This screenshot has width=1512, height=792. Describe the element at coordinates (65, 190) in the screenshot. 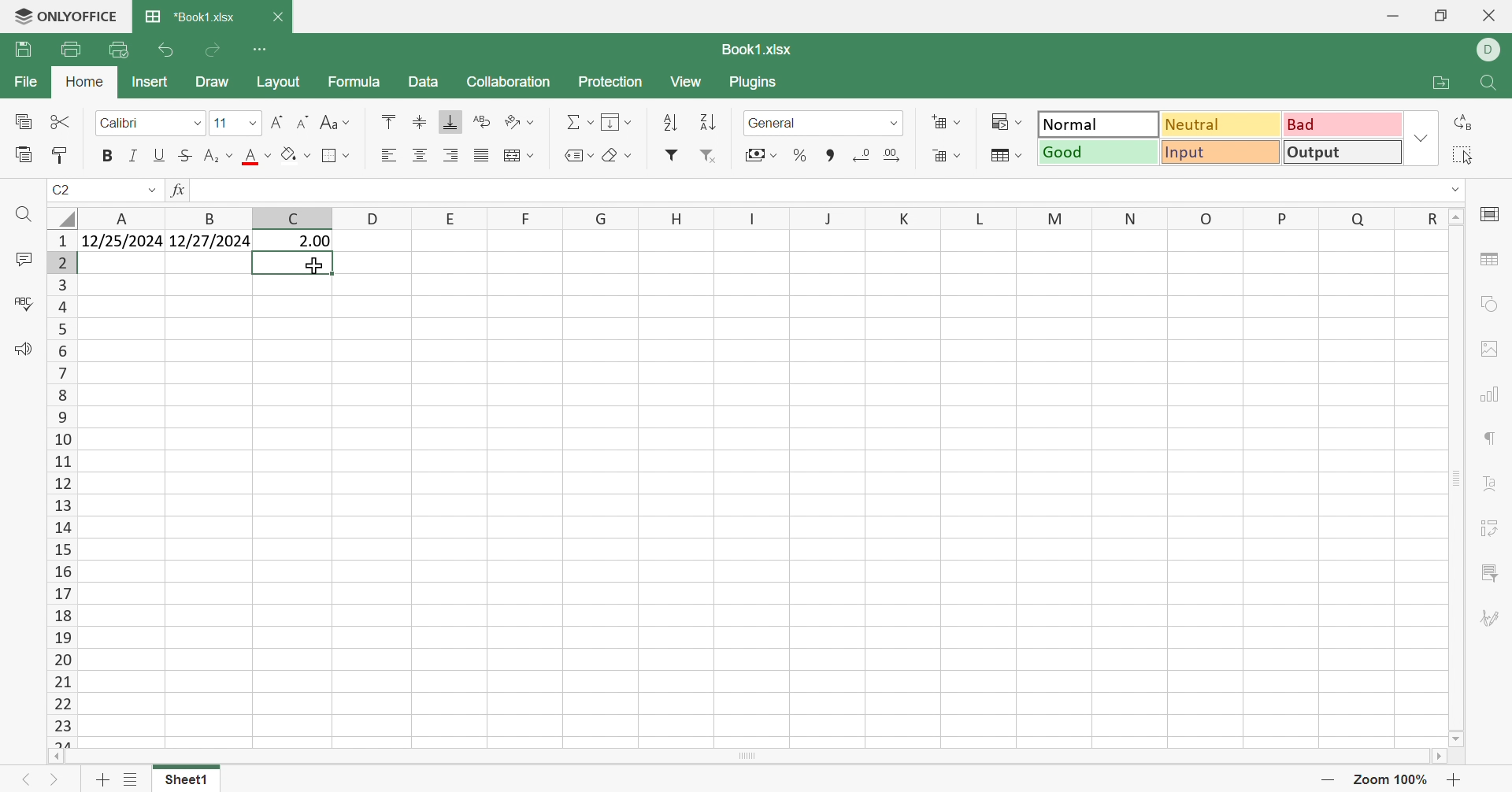

I see `A1` at that location.